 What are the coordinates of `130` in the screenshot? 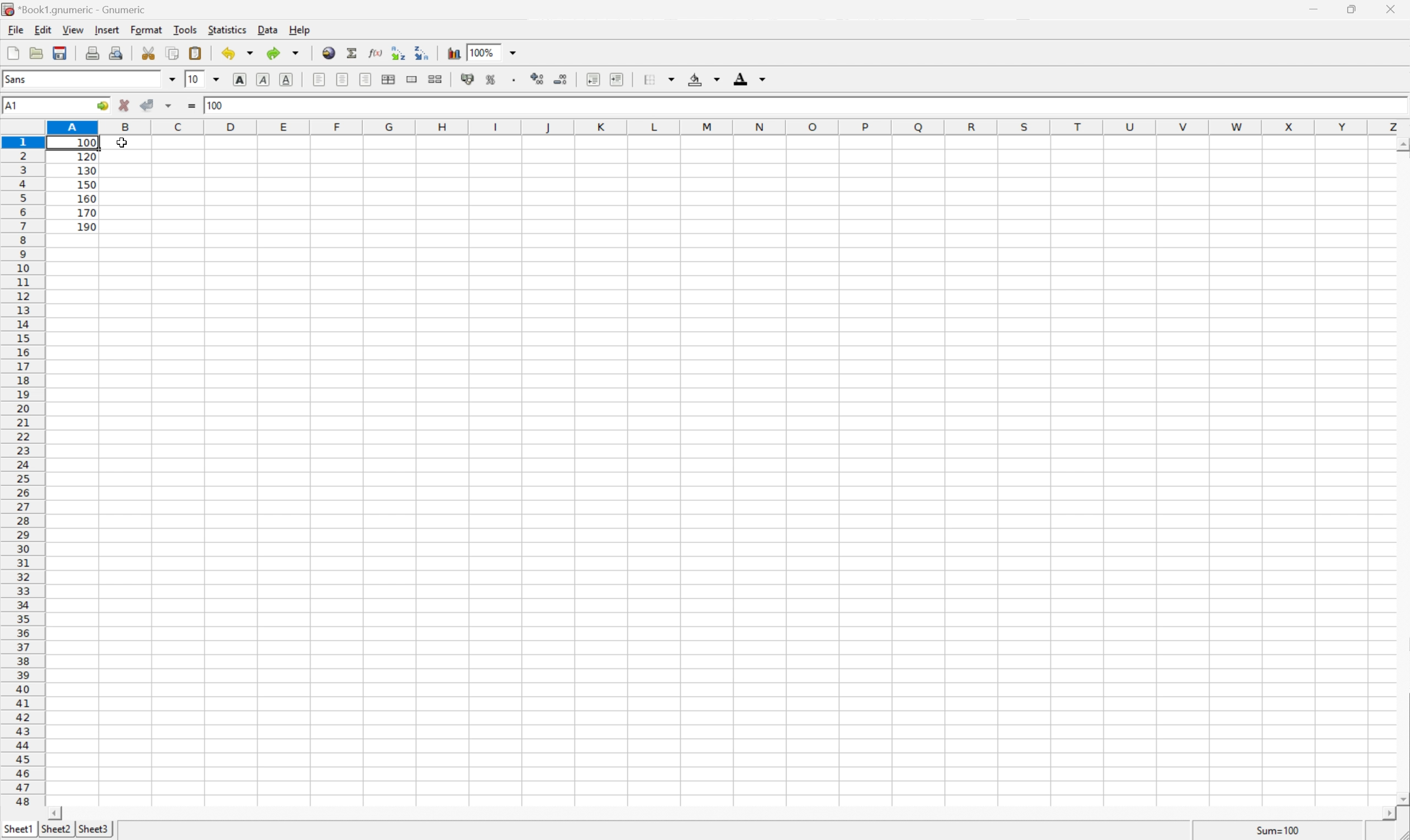 It's located at (86, 170).